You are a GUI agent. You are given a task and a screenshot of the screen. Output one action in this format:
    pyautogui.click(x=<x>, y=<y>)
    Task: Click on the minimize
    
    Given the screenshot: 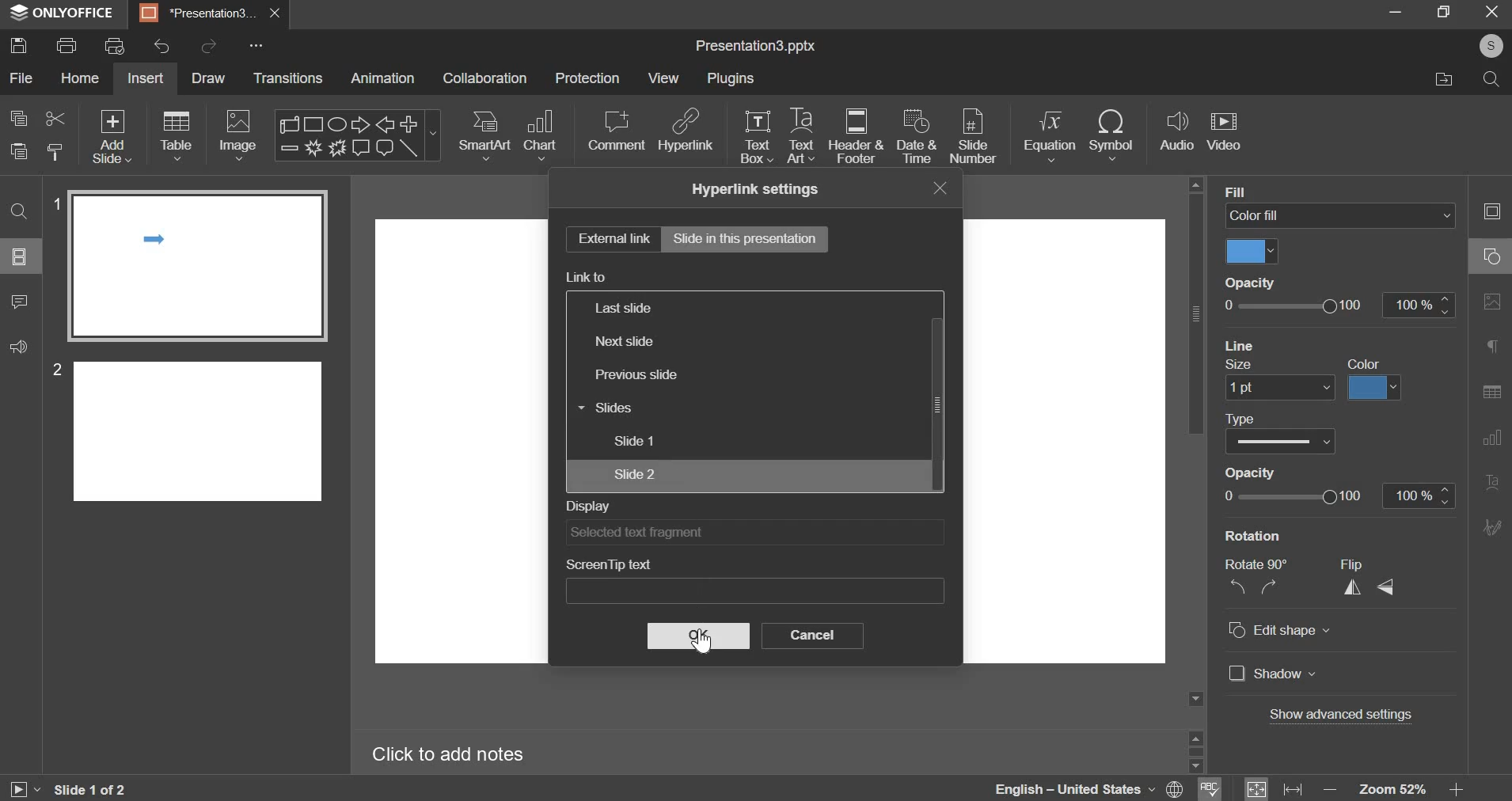 What is the action you would take?
    pyautogui.click(x=1396, y=11)
    